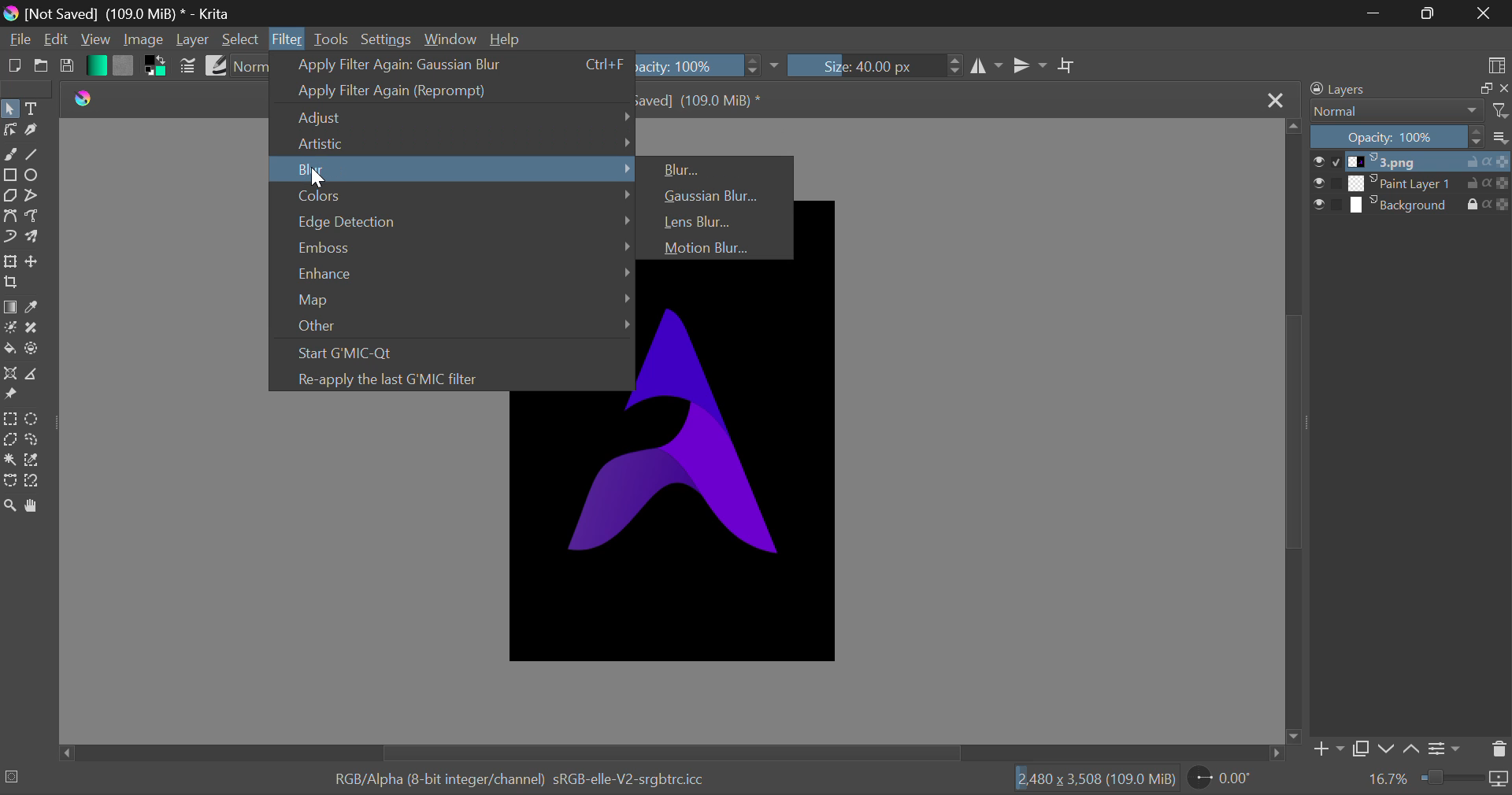 The height and width of the screenshot is (795, 1512). I want to click on Choose Workspace, so click(1496, 65).